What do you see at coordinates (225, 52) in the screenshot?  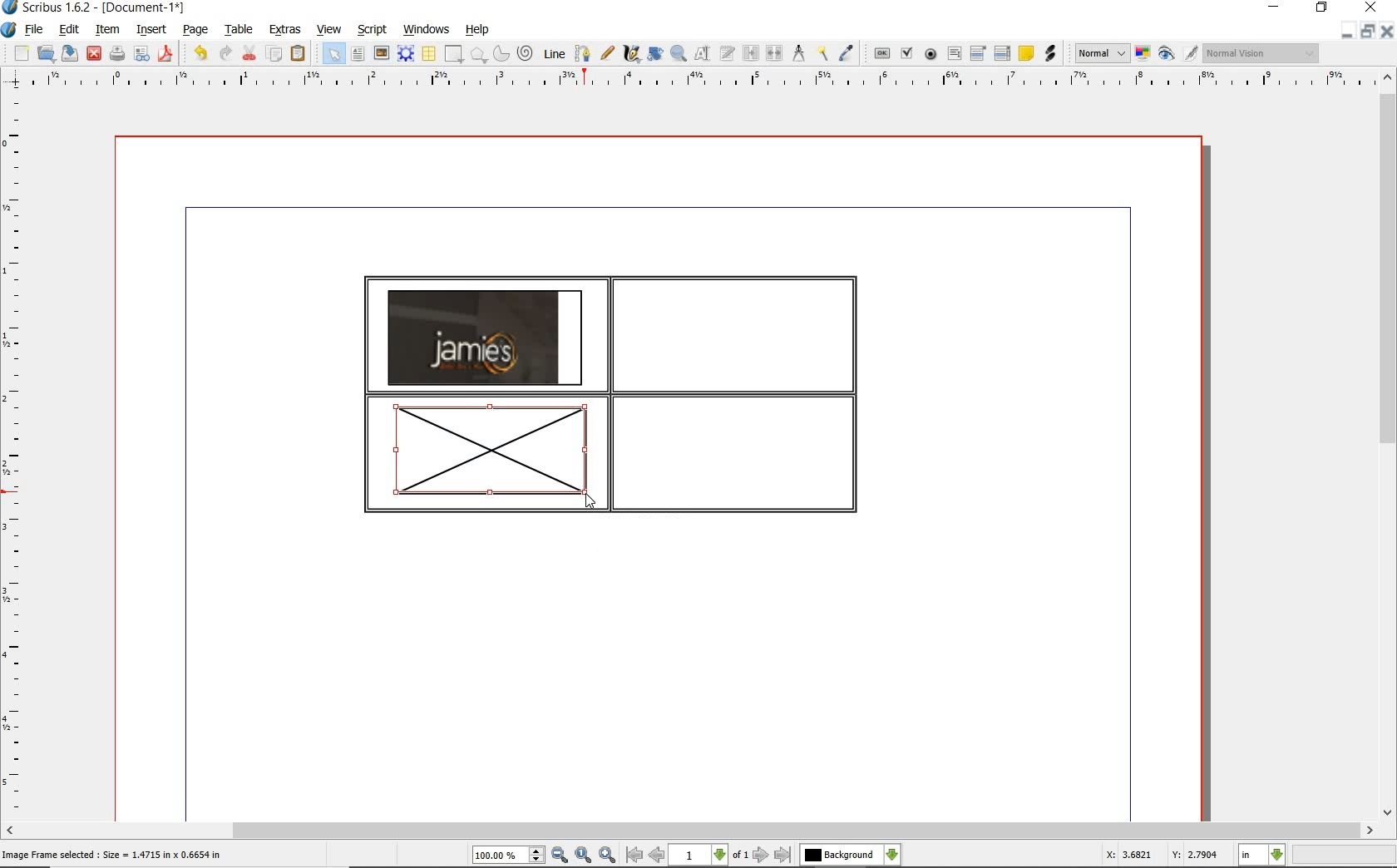 I see `redo` at bounding box center [225, 52].